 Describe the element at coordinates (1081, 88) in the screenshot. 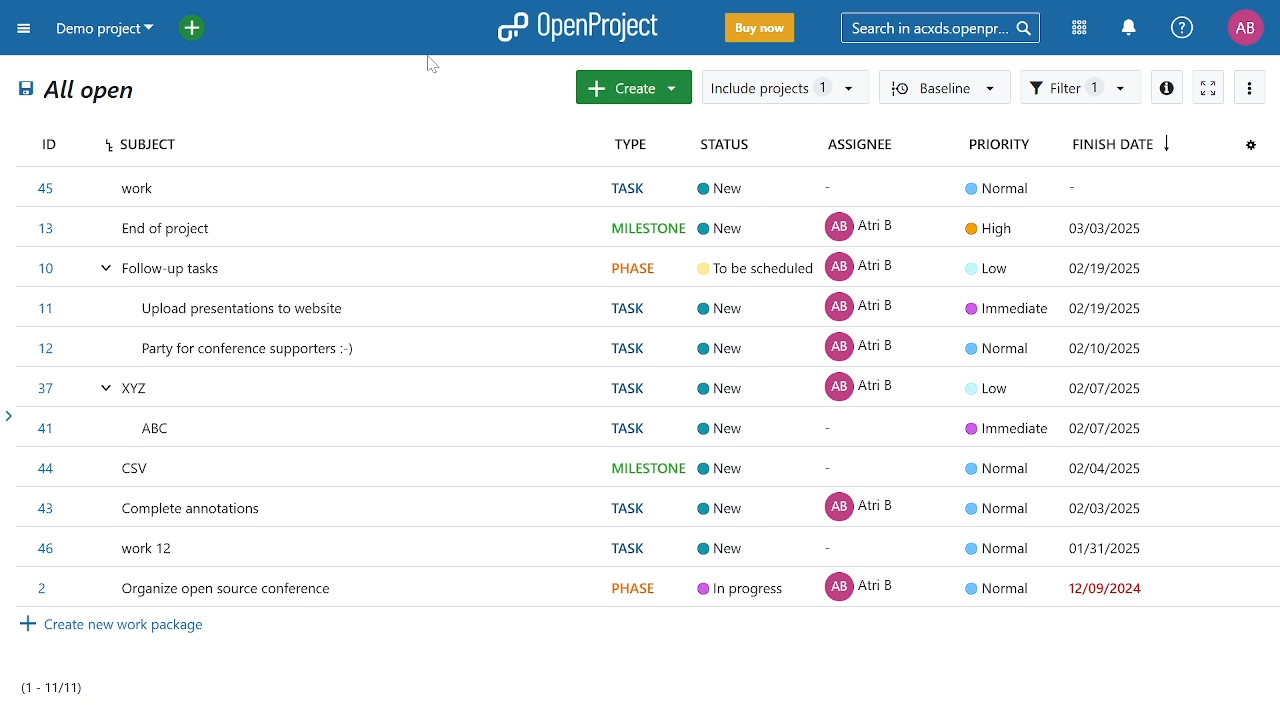

I see `filter` at that location.